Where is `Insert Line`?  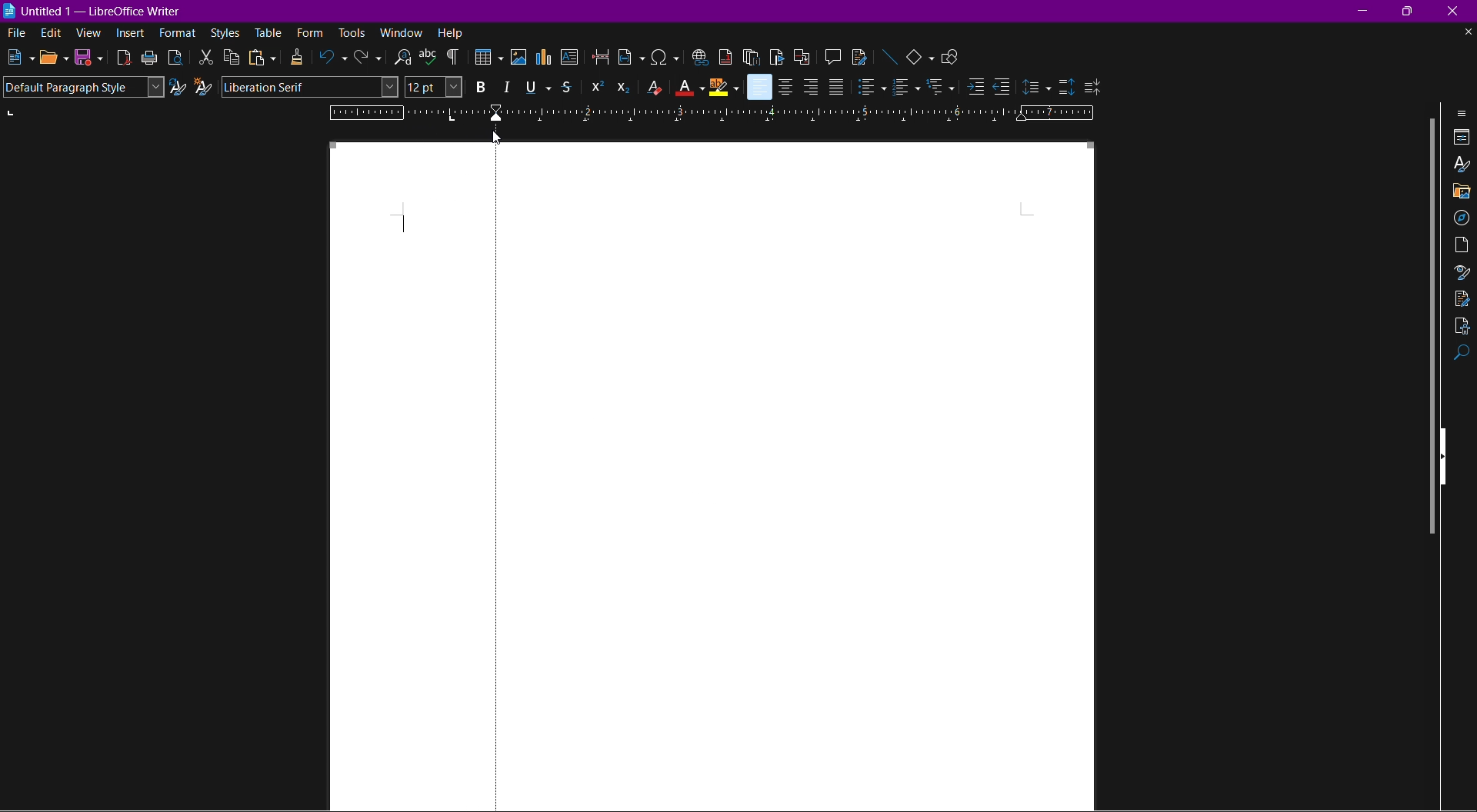
Insert Line is located at coordinates (889, 55).